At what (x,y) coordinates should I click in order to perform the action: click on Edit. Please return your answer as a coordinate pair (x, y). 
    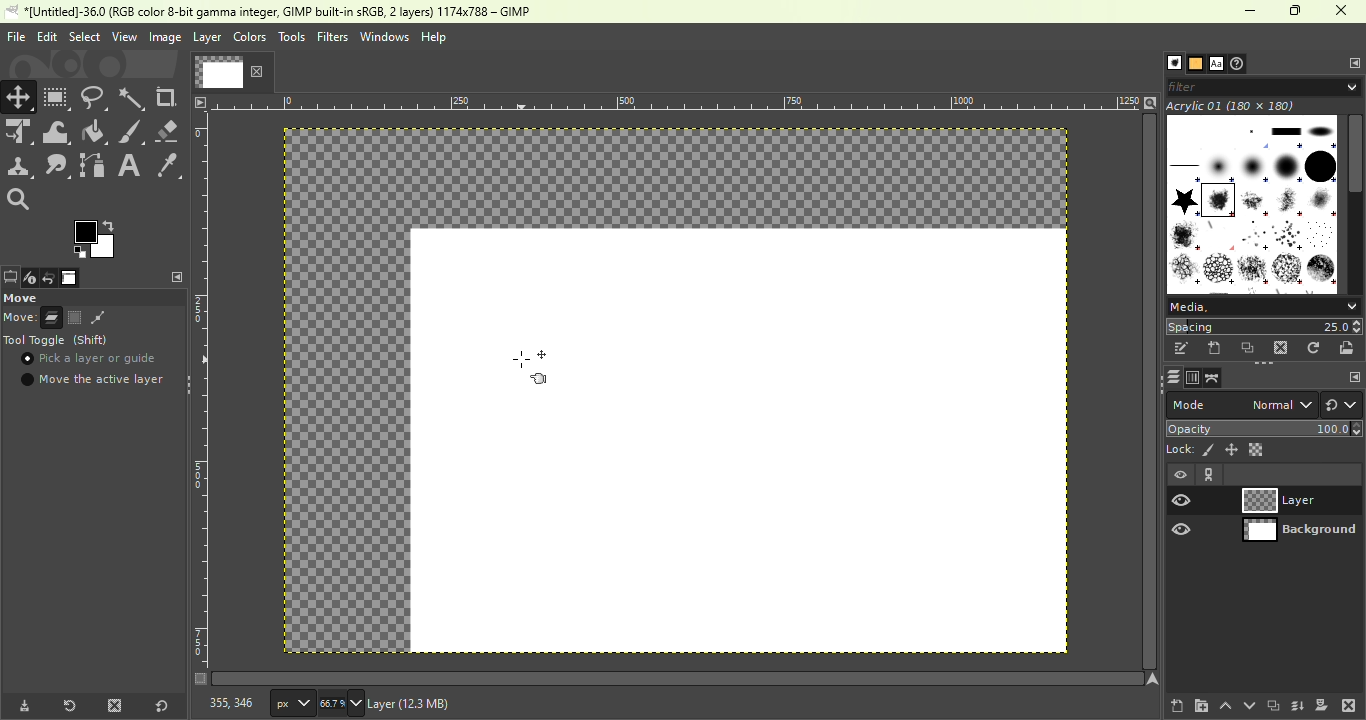
    Looking at the image, I should click on (46, 36).